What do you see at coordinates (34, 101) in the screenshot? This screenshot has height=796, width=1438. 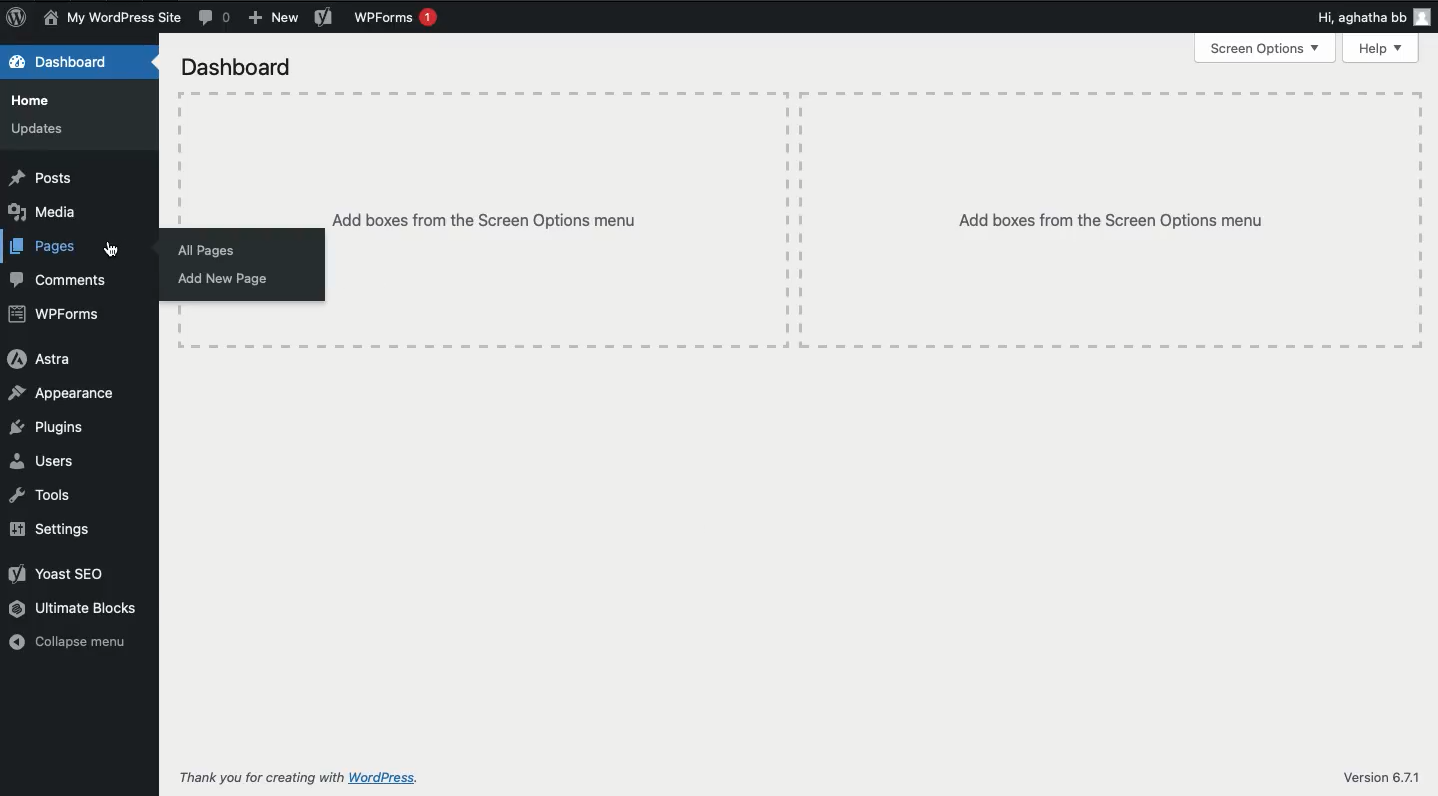 I see `Home` at bounding box center [34, 101].